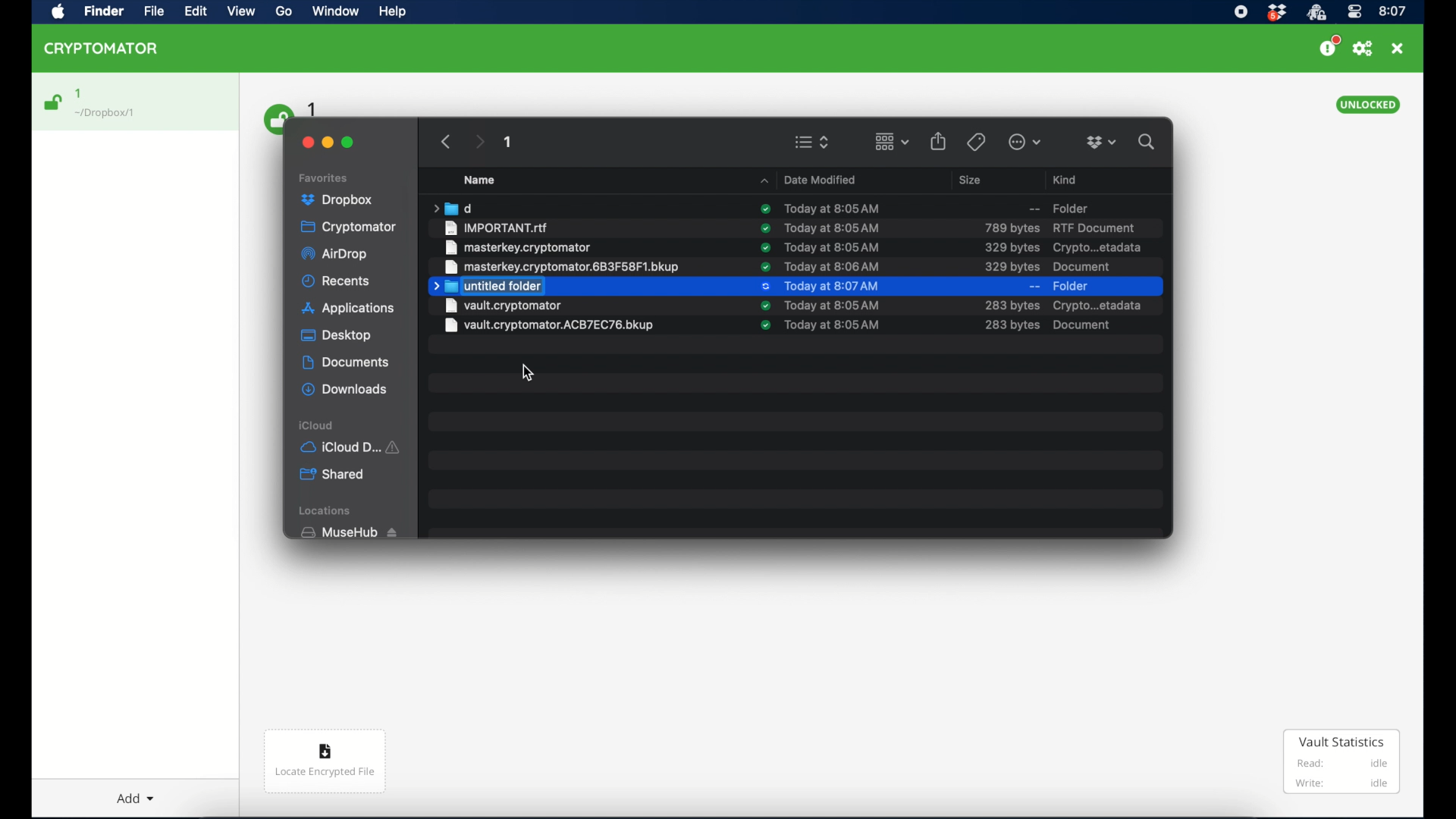 The width and height of the screenshot is (1456, 819). Describe the element at coordinates (552, 328) in the screenshot. I see `file name` at that location.